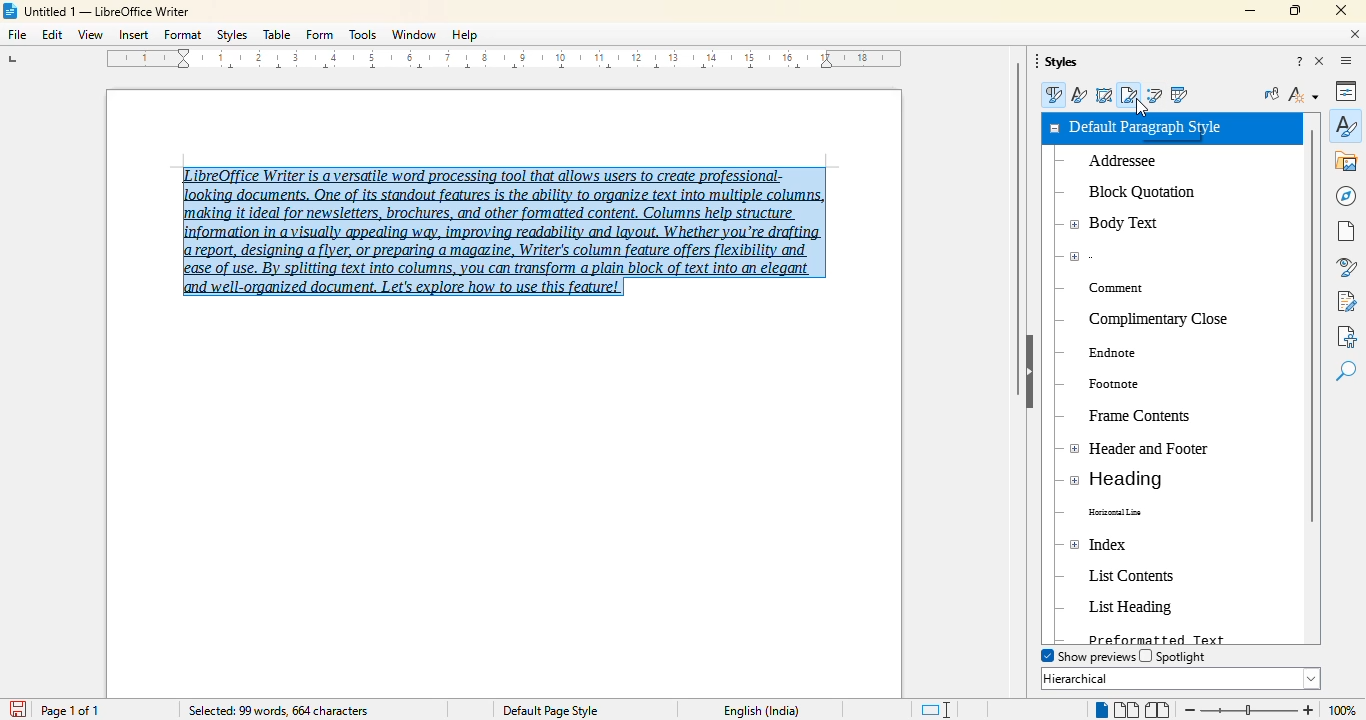 The image size is (1366, 720). What do you see at coordinates (1346, 125) in the screenshot?
I see `styles` at bounding box center [1346, 125].